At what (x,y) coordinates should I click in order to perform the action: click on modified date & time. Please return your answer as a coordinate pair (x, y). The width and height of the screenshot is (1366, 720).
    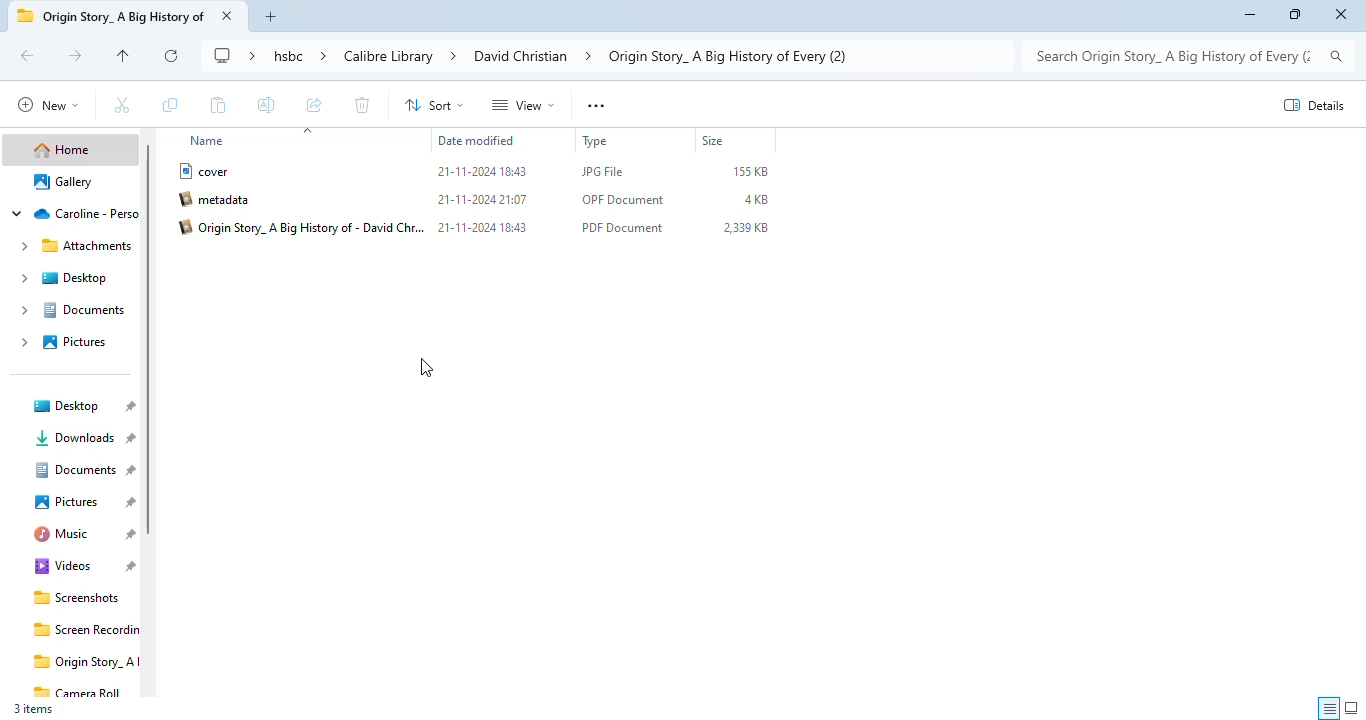
    Looking at the image, I should click on (485, 173).